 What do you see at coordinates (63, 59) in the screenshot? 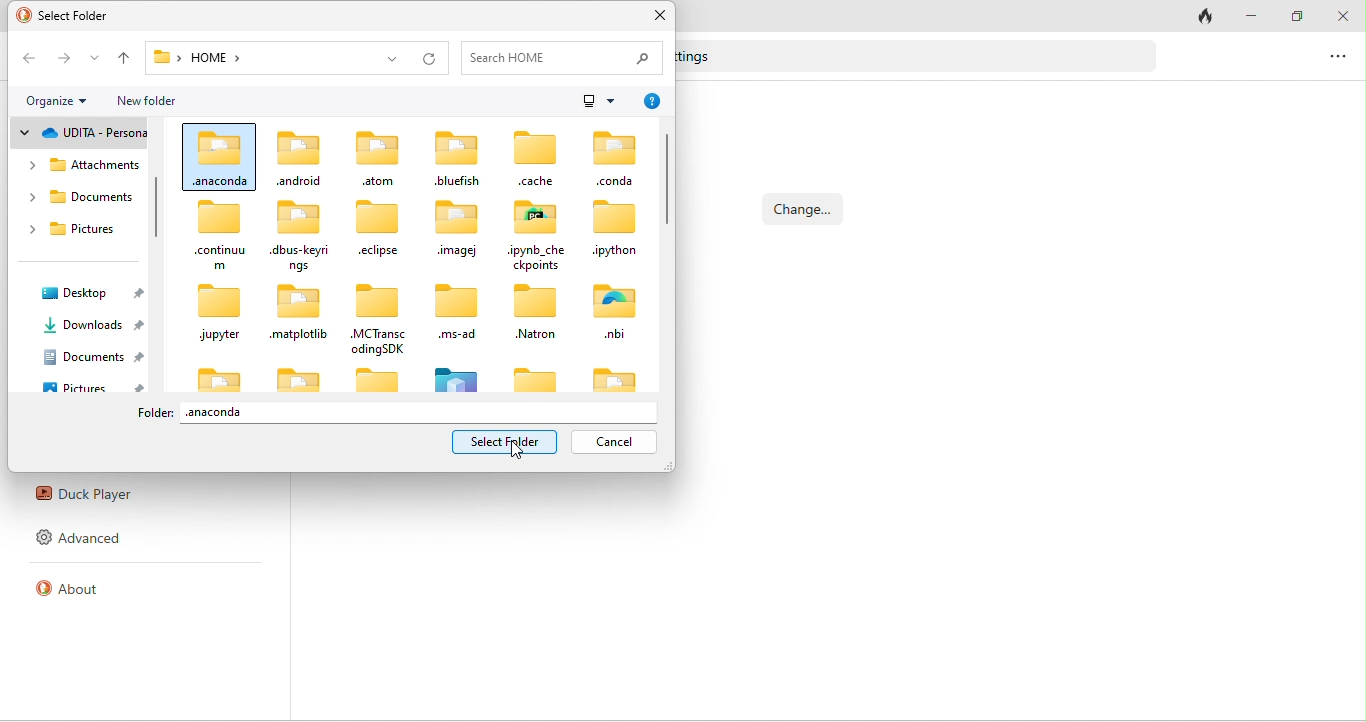
I see `forward` at bounding box center [63, 59].